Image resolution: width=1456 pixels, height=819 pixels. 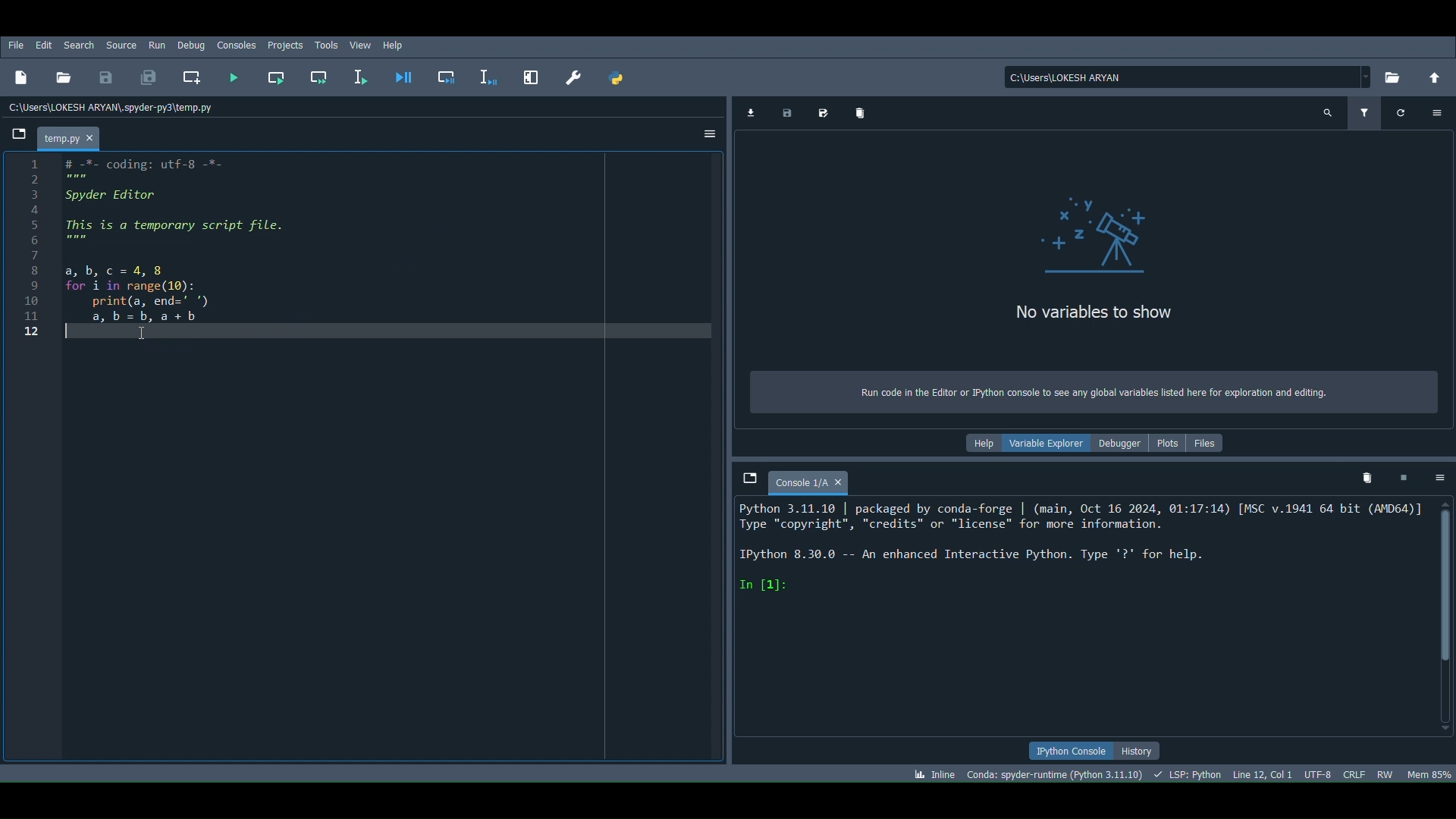 I want to click on Debug selection or current line, so click(x=492, y=74).